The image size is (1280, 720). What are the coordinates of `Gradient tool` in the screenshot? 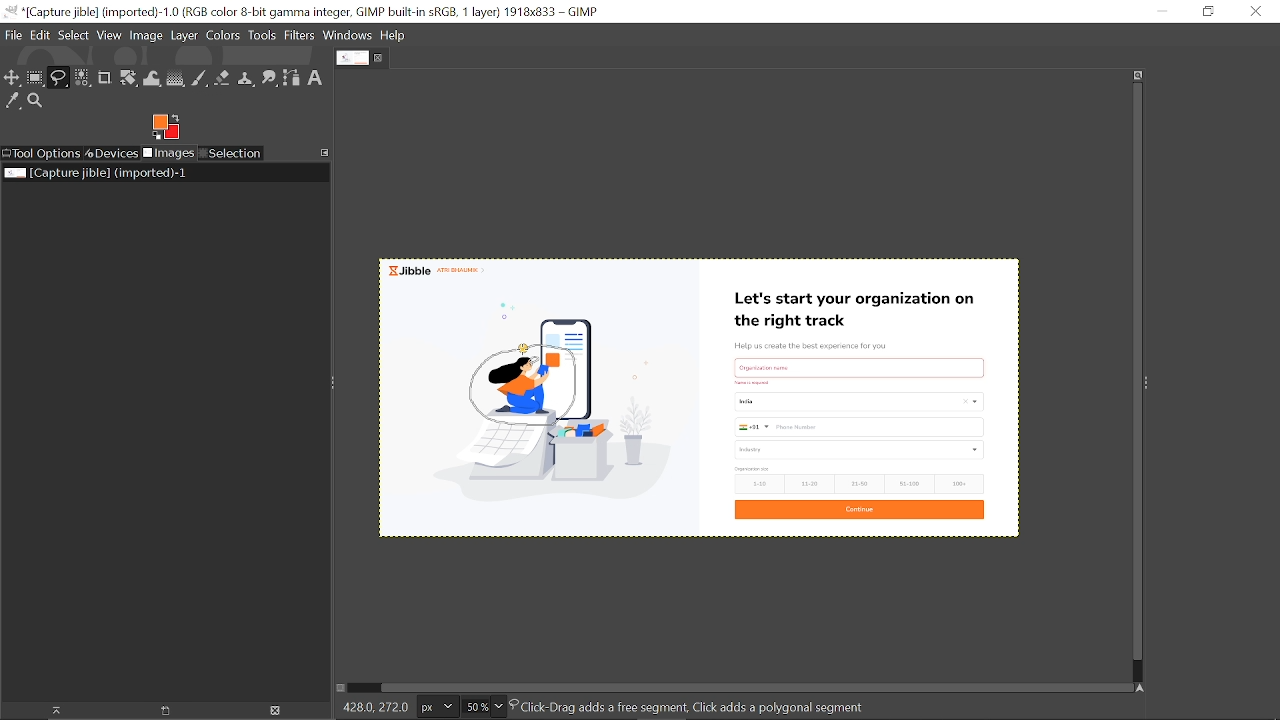 It's located at (176, 78).